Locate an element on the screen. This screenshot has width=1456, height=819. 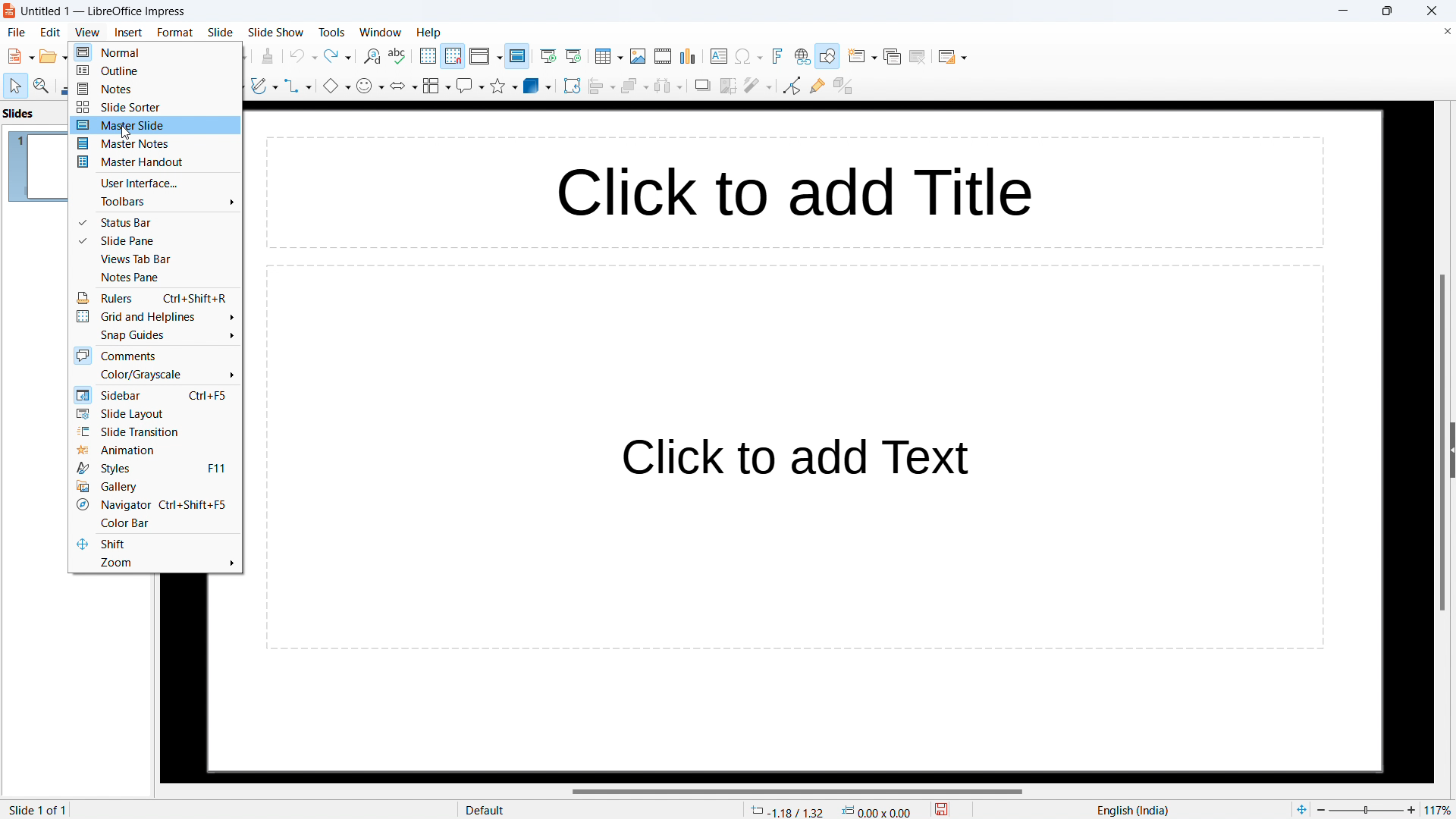
click to add text is located at coordinates (794, 457).